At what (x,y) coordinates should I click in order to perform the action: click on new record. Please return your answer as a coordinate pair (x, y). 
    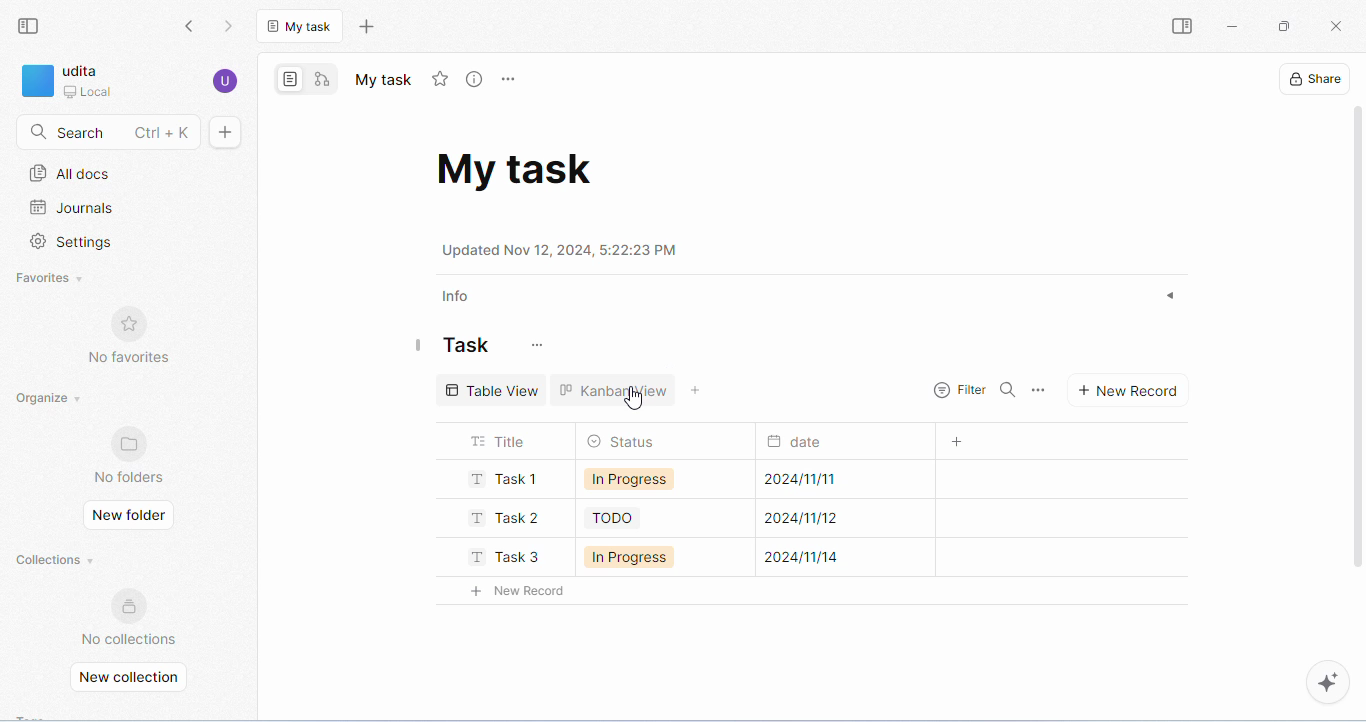
    Looking at the image, I should click on (528, 591).